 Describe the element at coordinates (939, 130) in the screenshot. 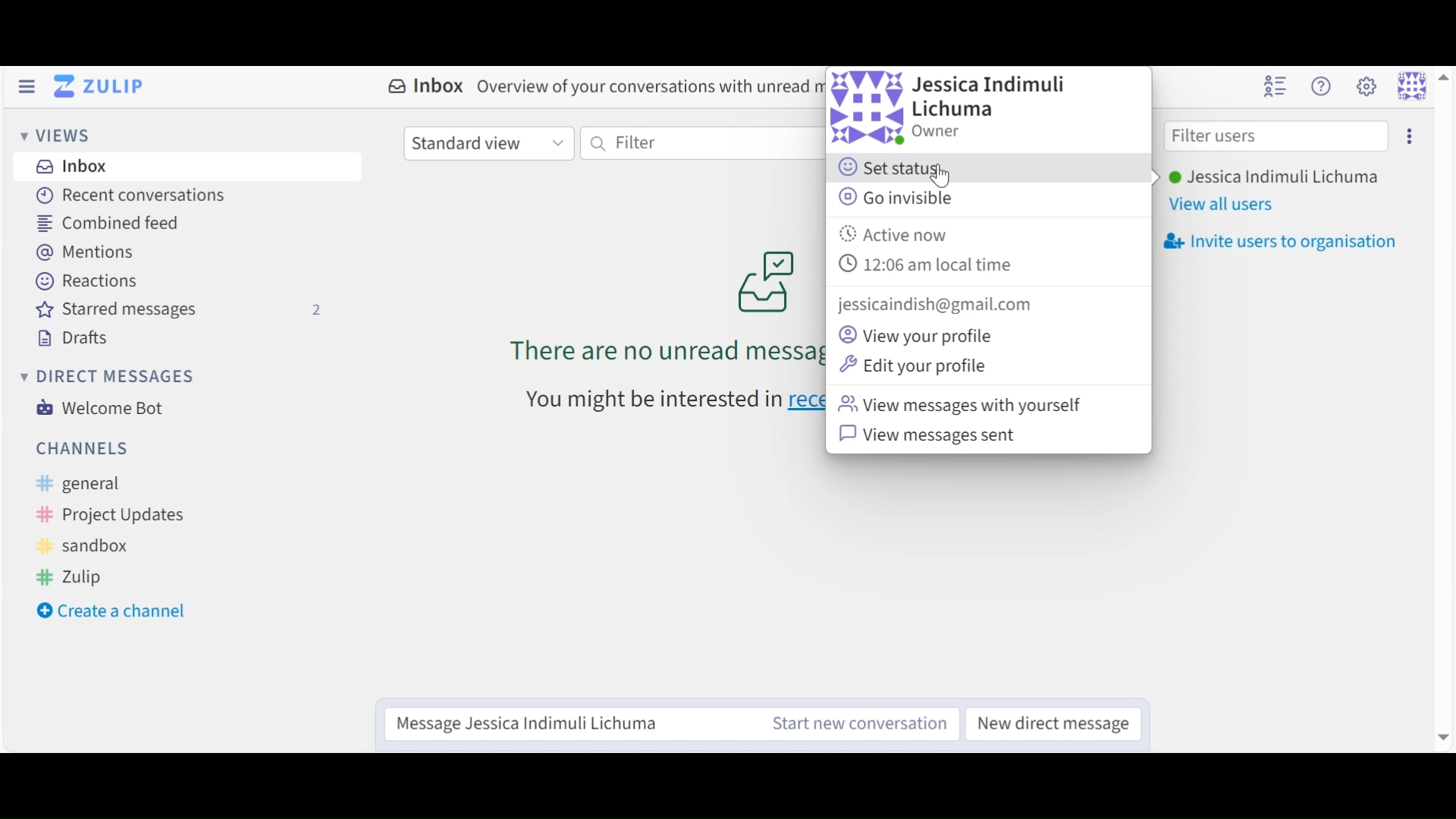

I see `owner` at that location.